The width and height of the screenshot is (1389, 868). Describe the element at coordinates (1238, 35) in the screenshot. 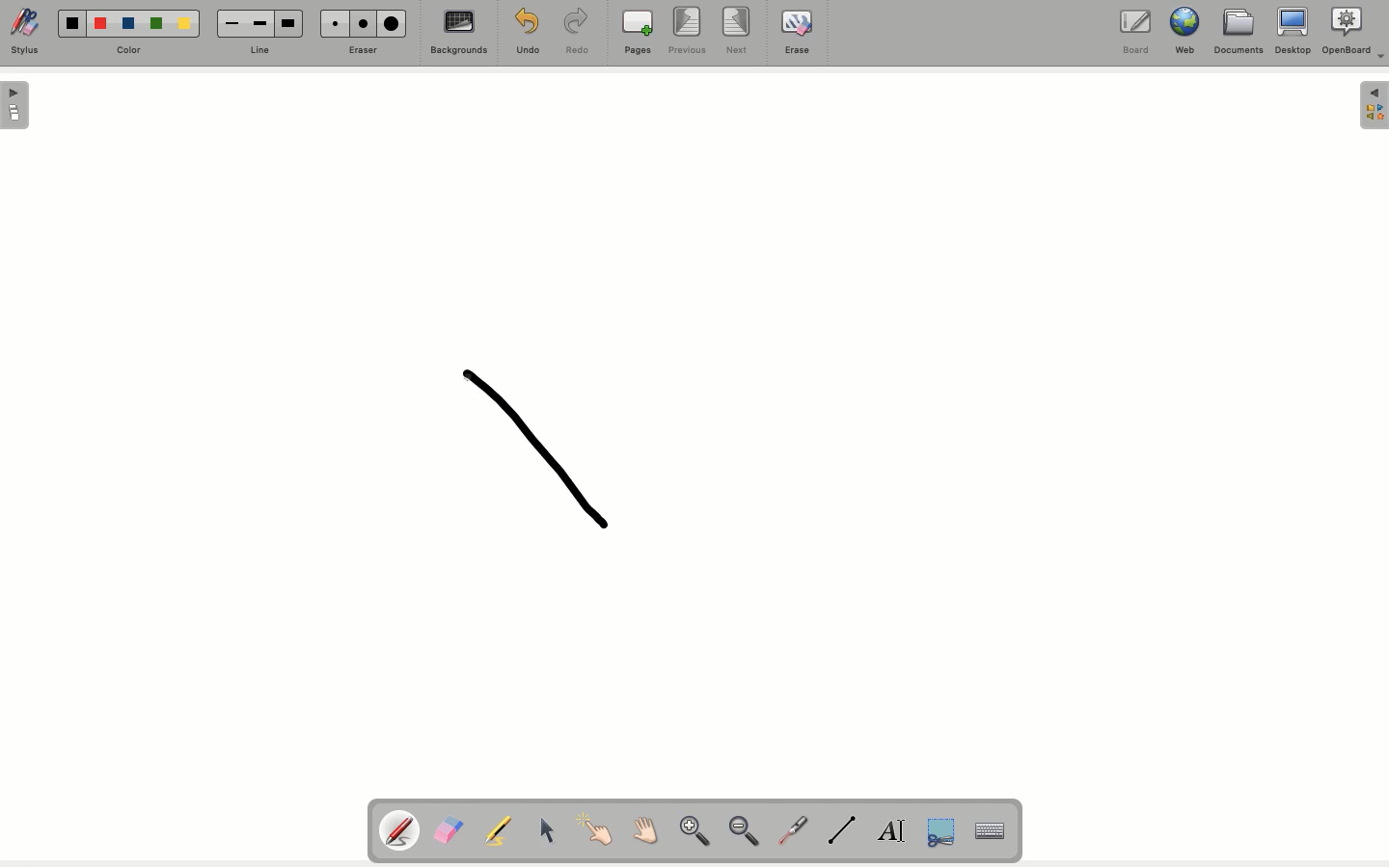

I see `Documents` at that location.